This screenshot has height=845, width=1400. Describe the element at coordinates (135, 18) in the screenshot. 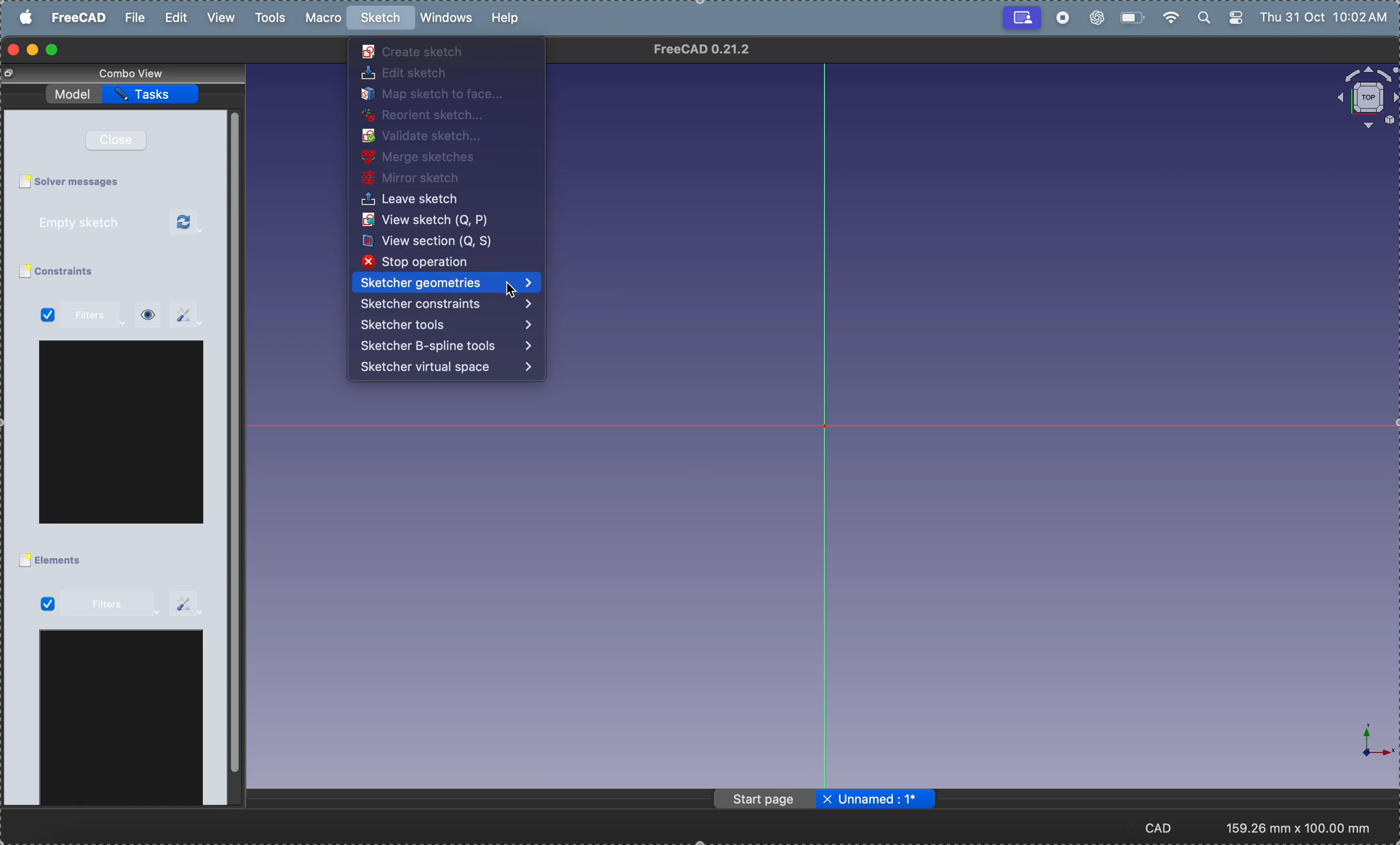

I see `file` at that location.